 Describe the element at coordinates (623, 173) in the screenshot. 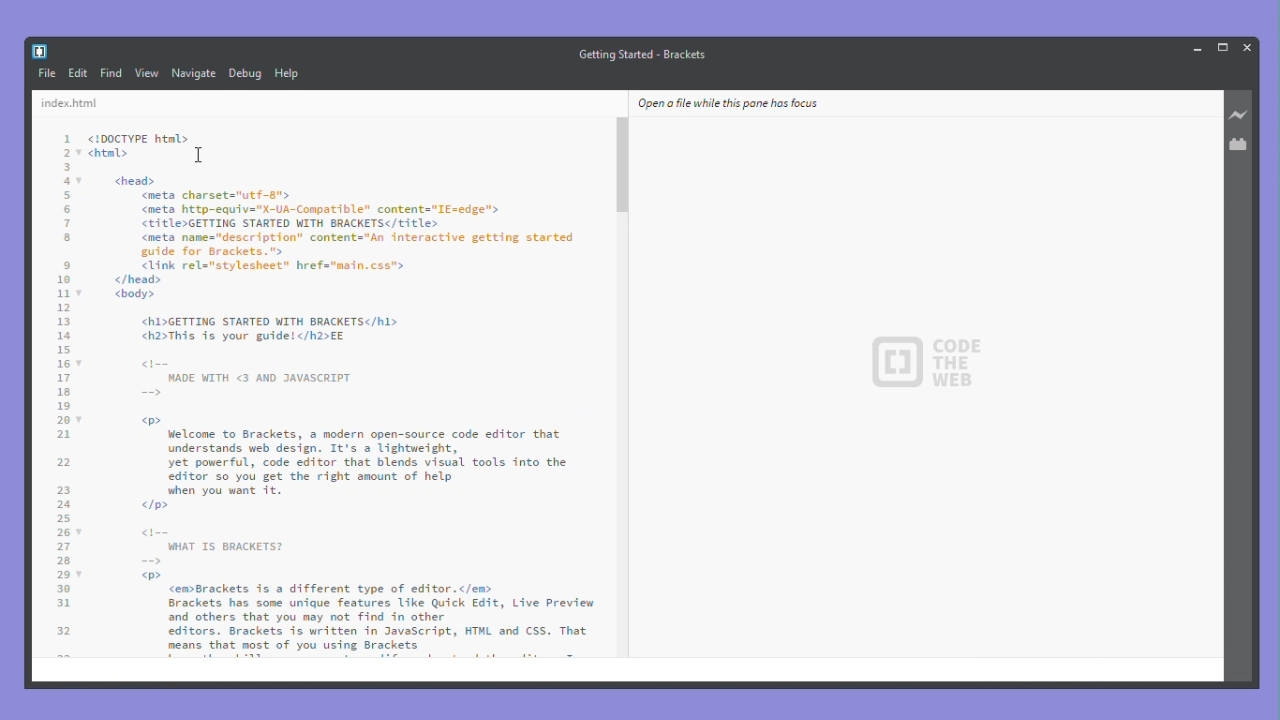

I see `Vertical scrollbar` at that location.